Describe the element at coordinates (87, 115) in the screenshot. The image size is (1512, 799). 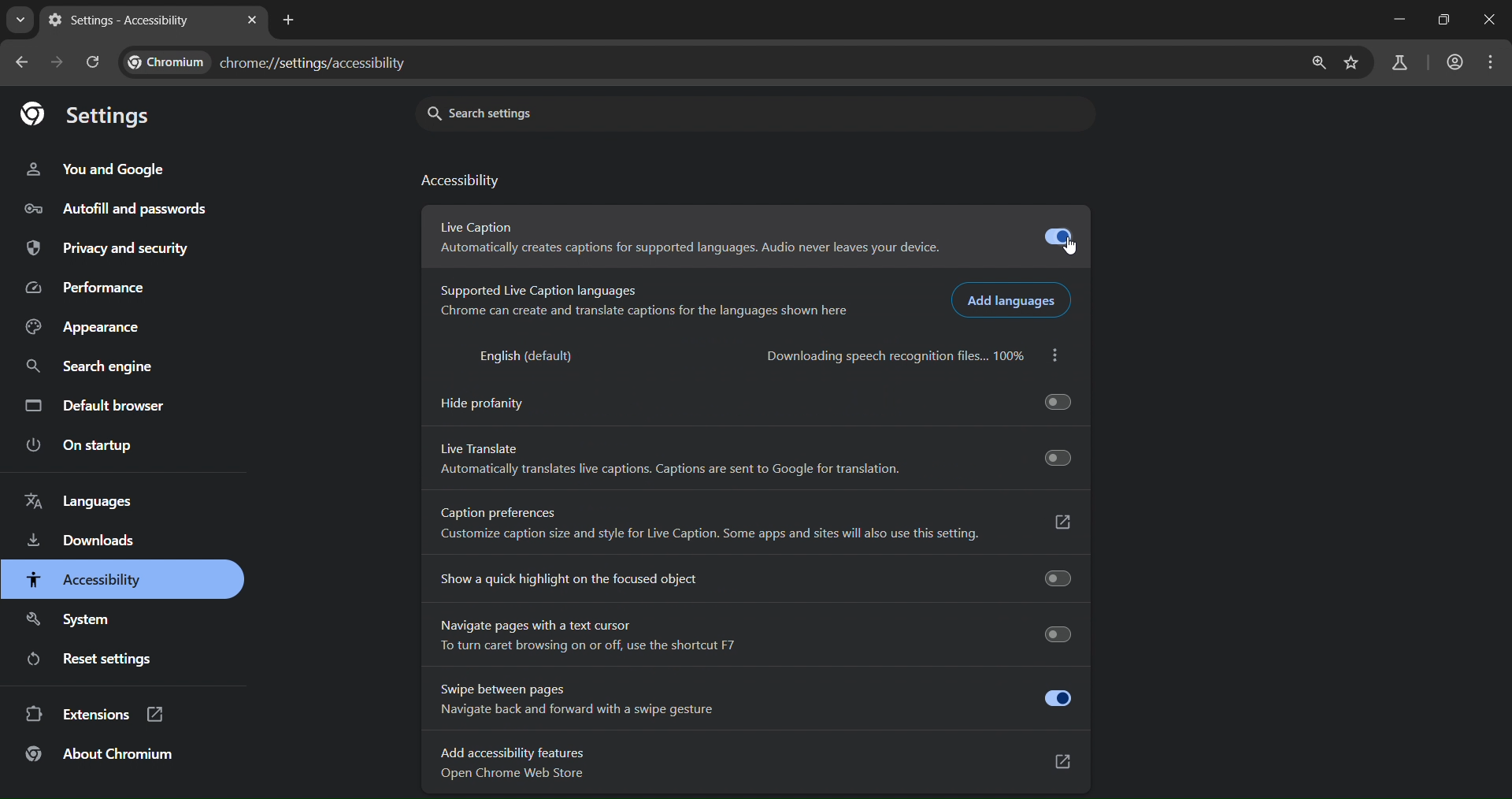
I see `settings` at that location.